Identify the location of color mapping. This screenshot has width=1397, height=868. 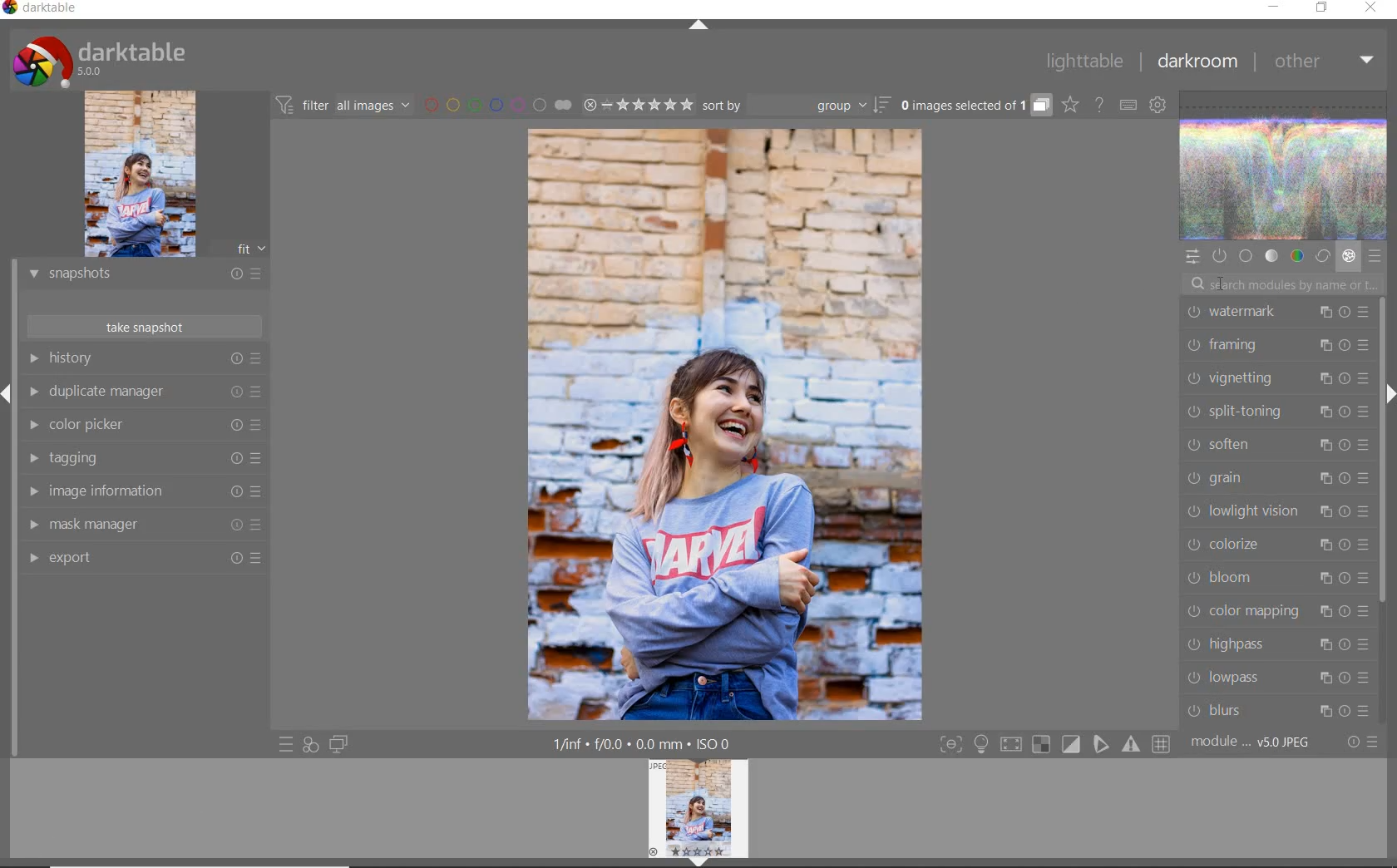
(1276, 613).